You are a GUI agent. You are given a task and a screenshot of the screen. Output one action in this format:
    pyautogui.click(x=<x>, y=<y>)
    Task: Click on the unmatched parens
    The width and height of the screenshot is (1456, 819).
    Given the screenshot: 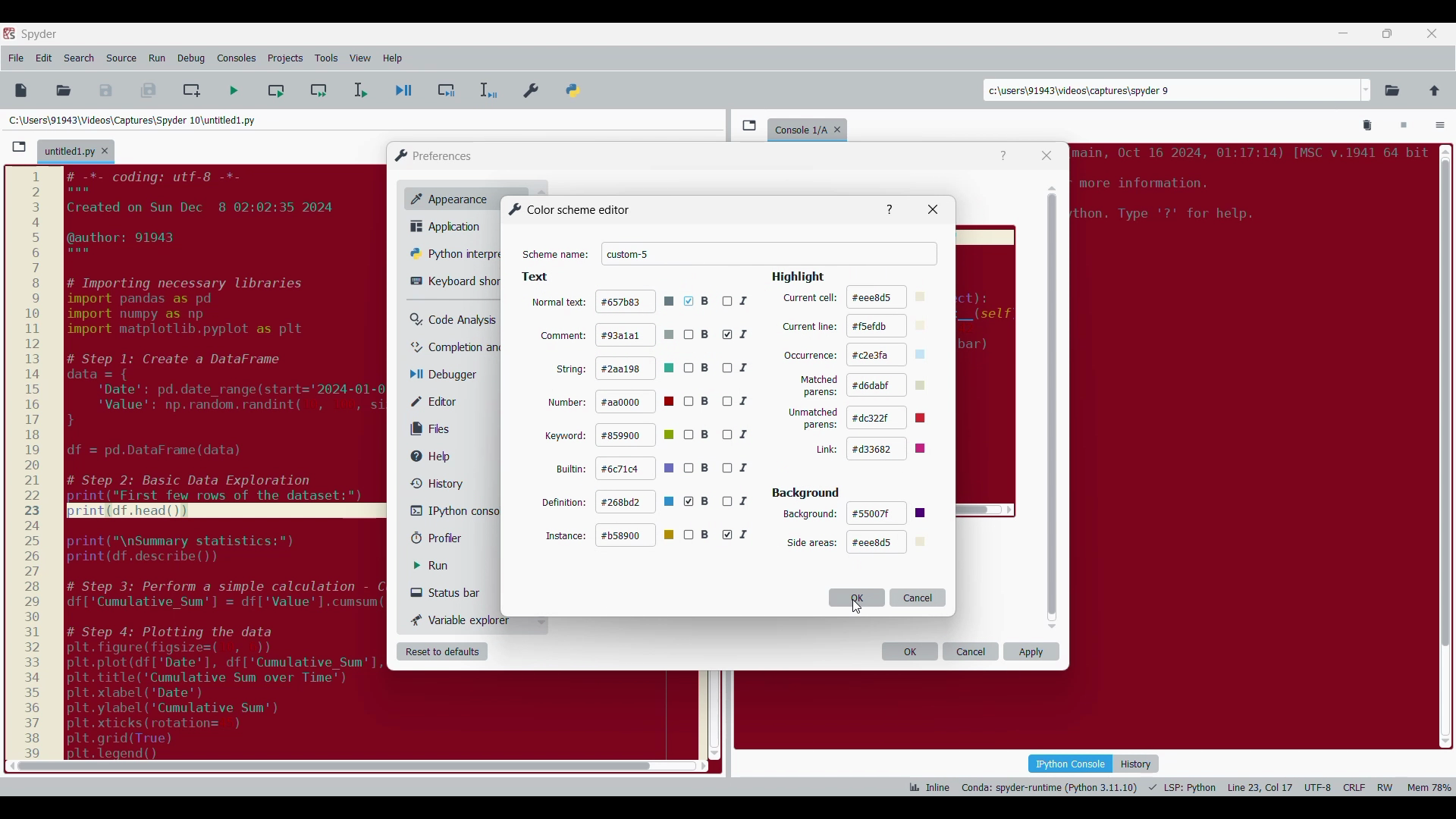 What is the action you would take?
    pyautogui.click(x=814, y=419)
    